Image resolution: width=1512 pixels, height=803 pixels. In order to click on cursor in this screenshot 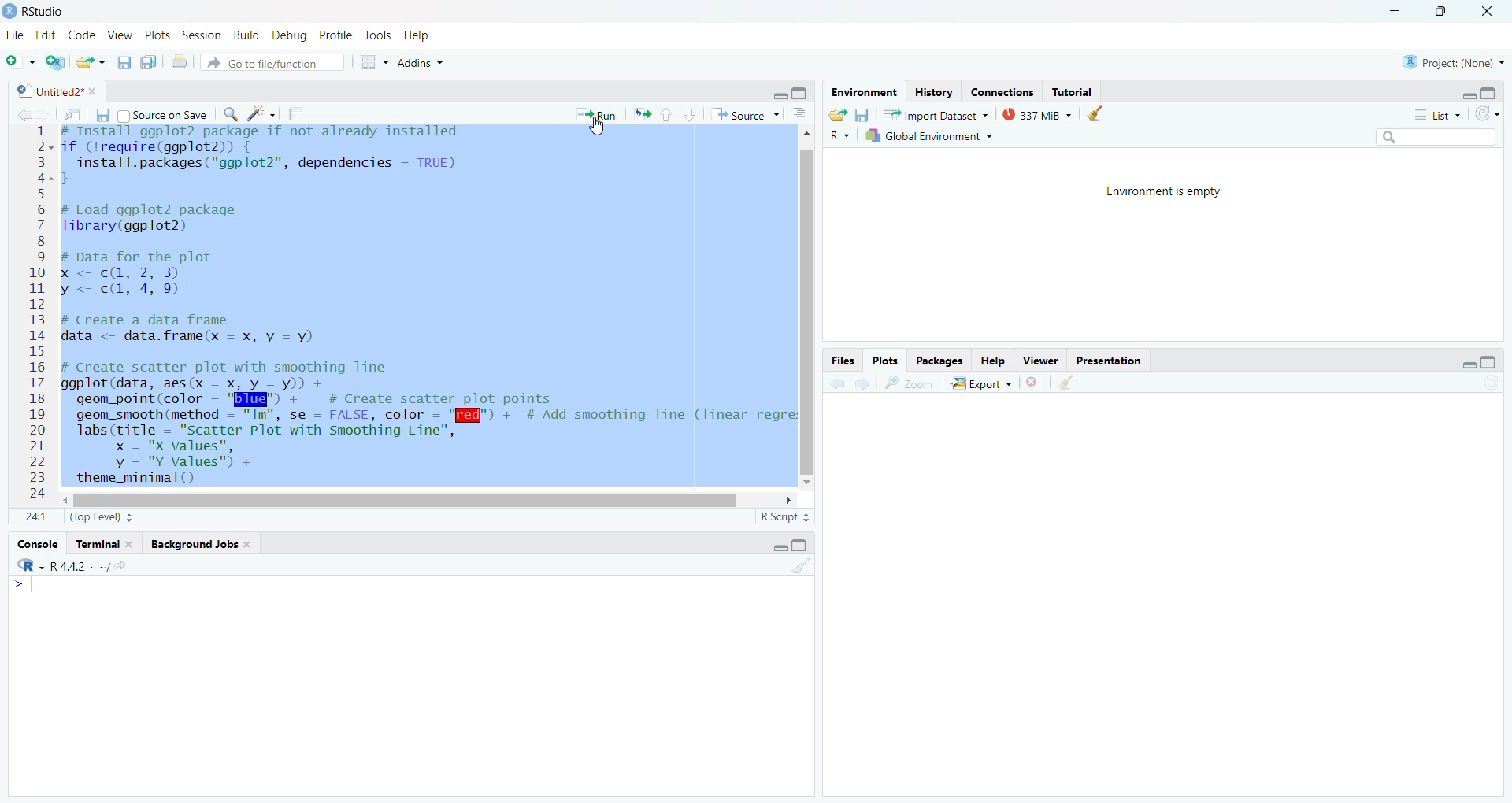, I will do `click(598, 131)`.